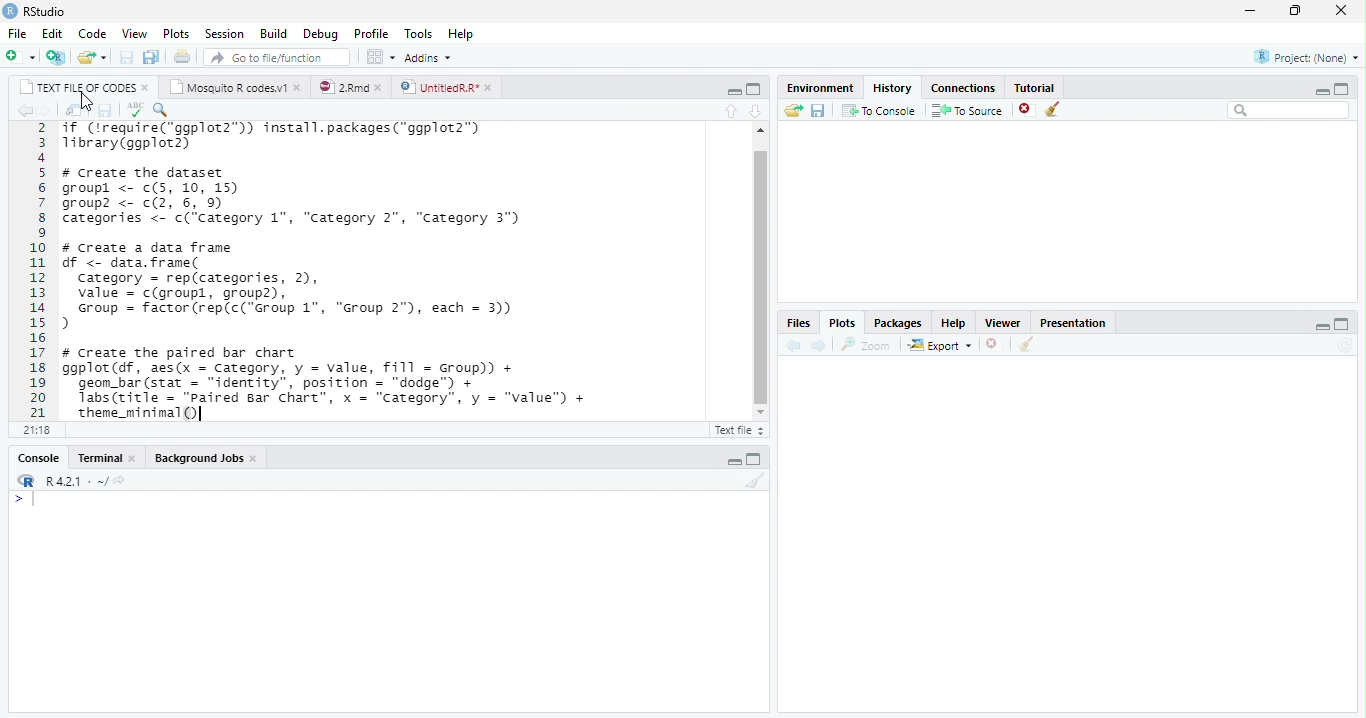  Describe the element at coordinates (1021, 110) in the screenshot. I see `remove selected history` at that location.